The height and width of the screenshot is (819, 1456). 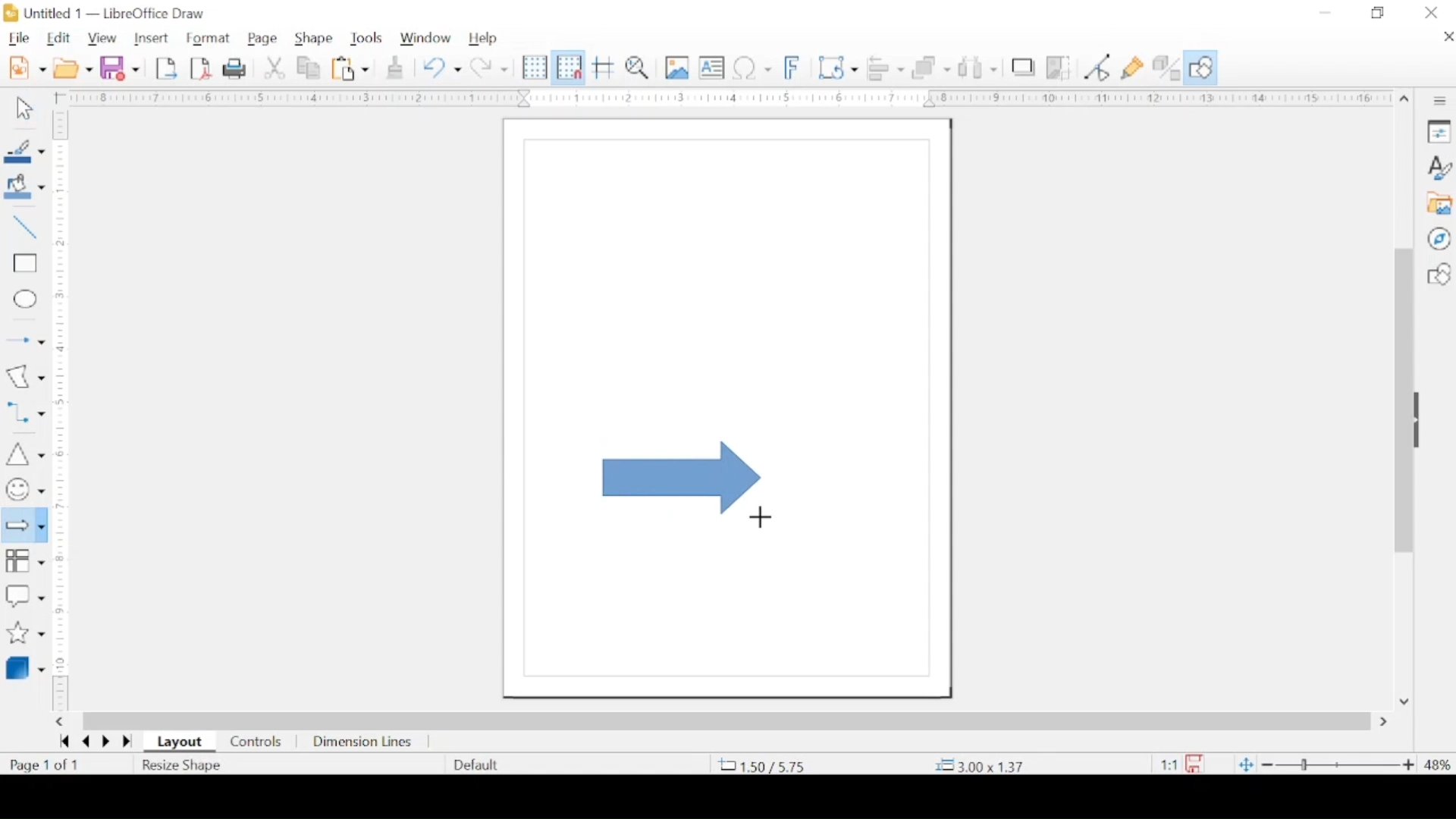 What do you see at coordinates (180, 742) in the screenshot?
I see `layout` at bounding box center [180, 742].